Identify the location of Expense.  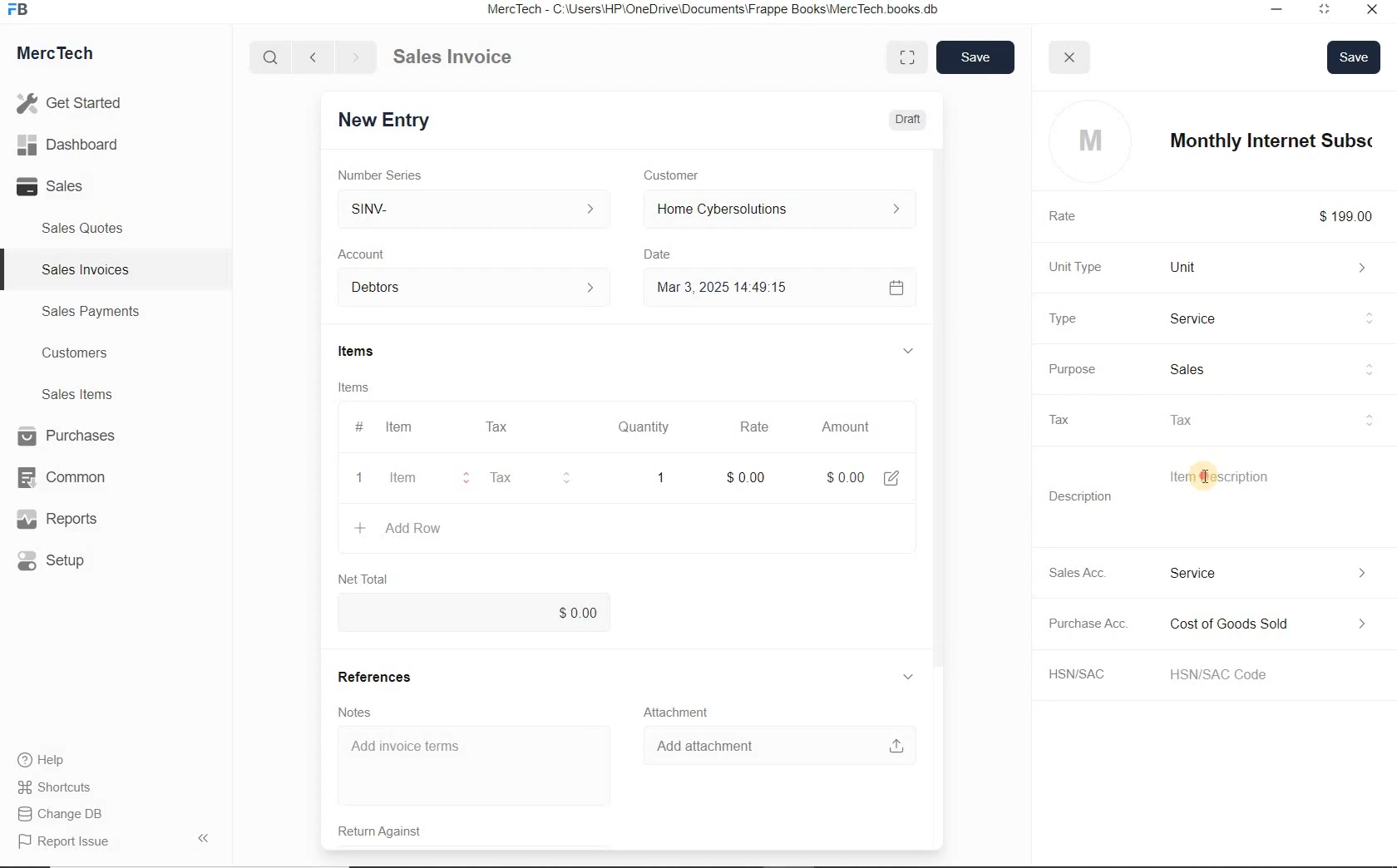
(1266, 624).